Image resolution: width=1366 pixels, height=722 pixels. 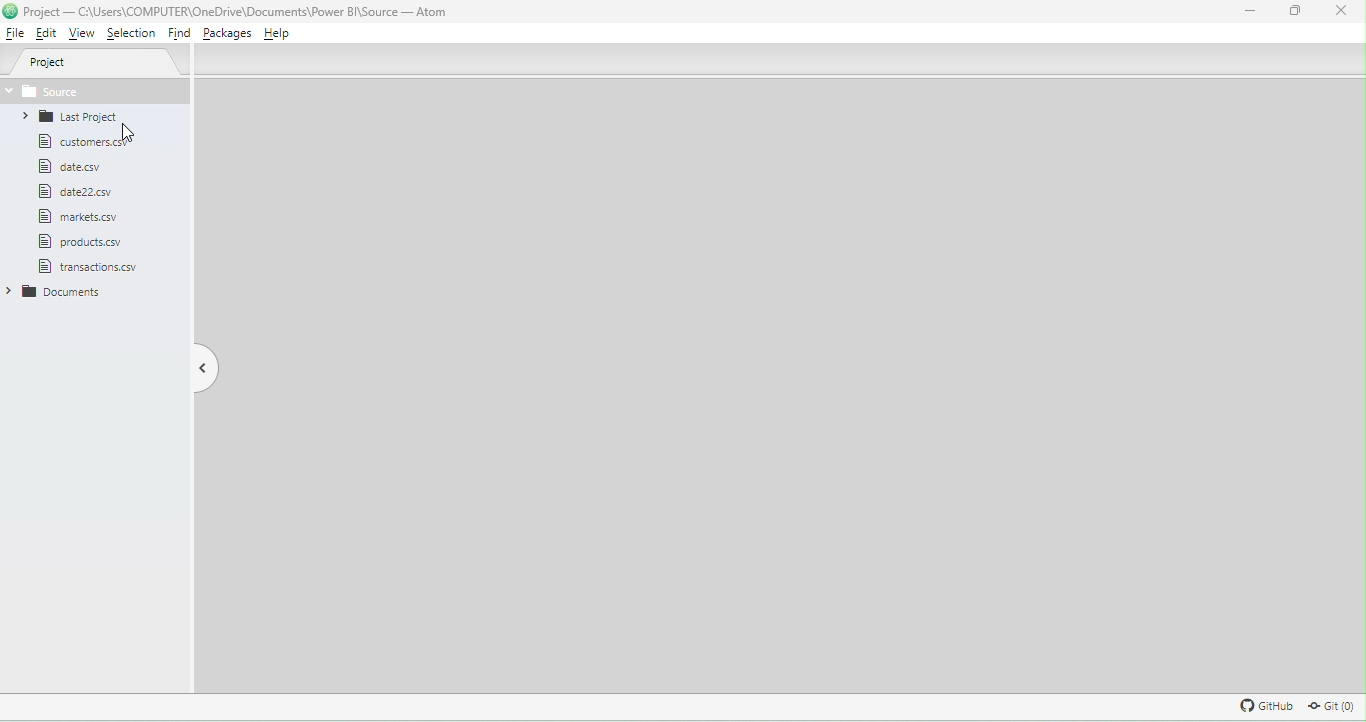 What do you see at coordinates (79, 145) in the screenshot?
I see `File` at bounding box center [79, 145].